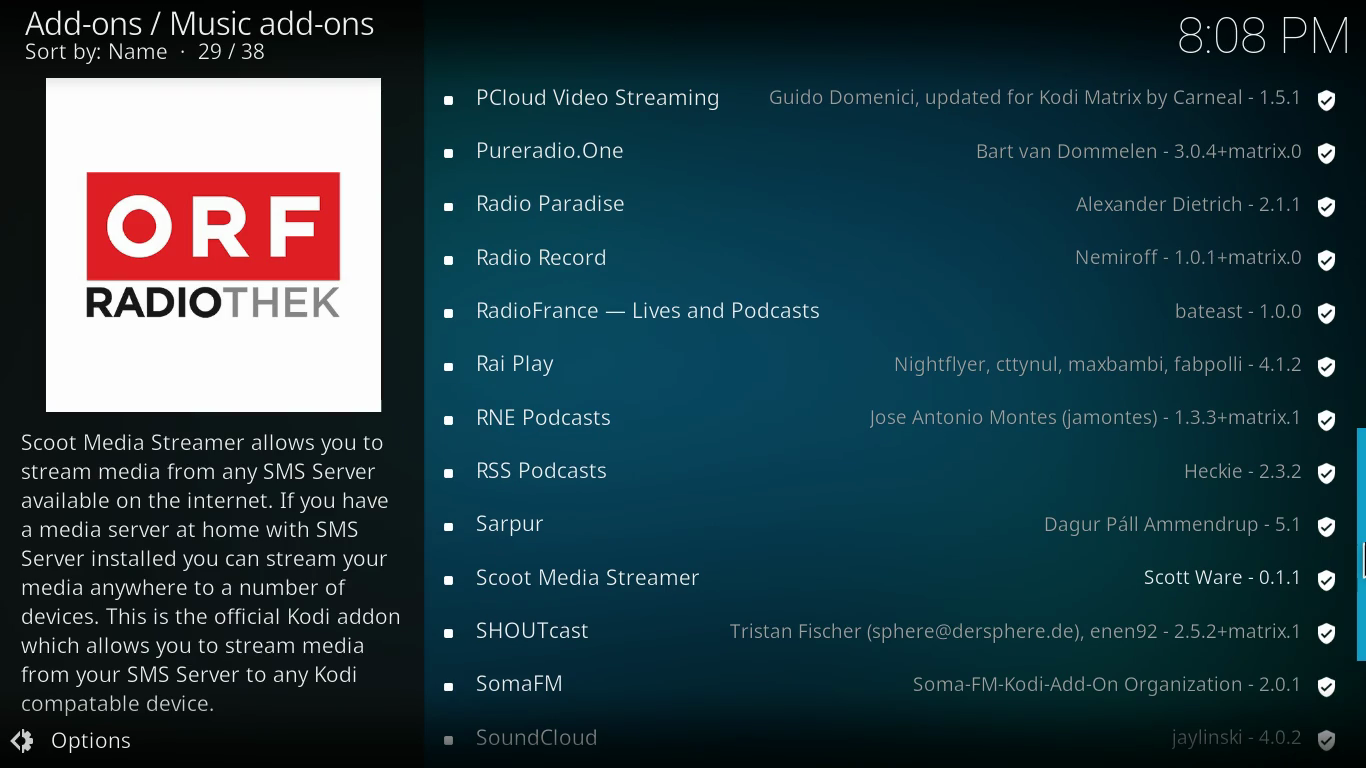 The height and width of the screenshot is (768, 1366). I want to click on provider, so click(1211, 211).